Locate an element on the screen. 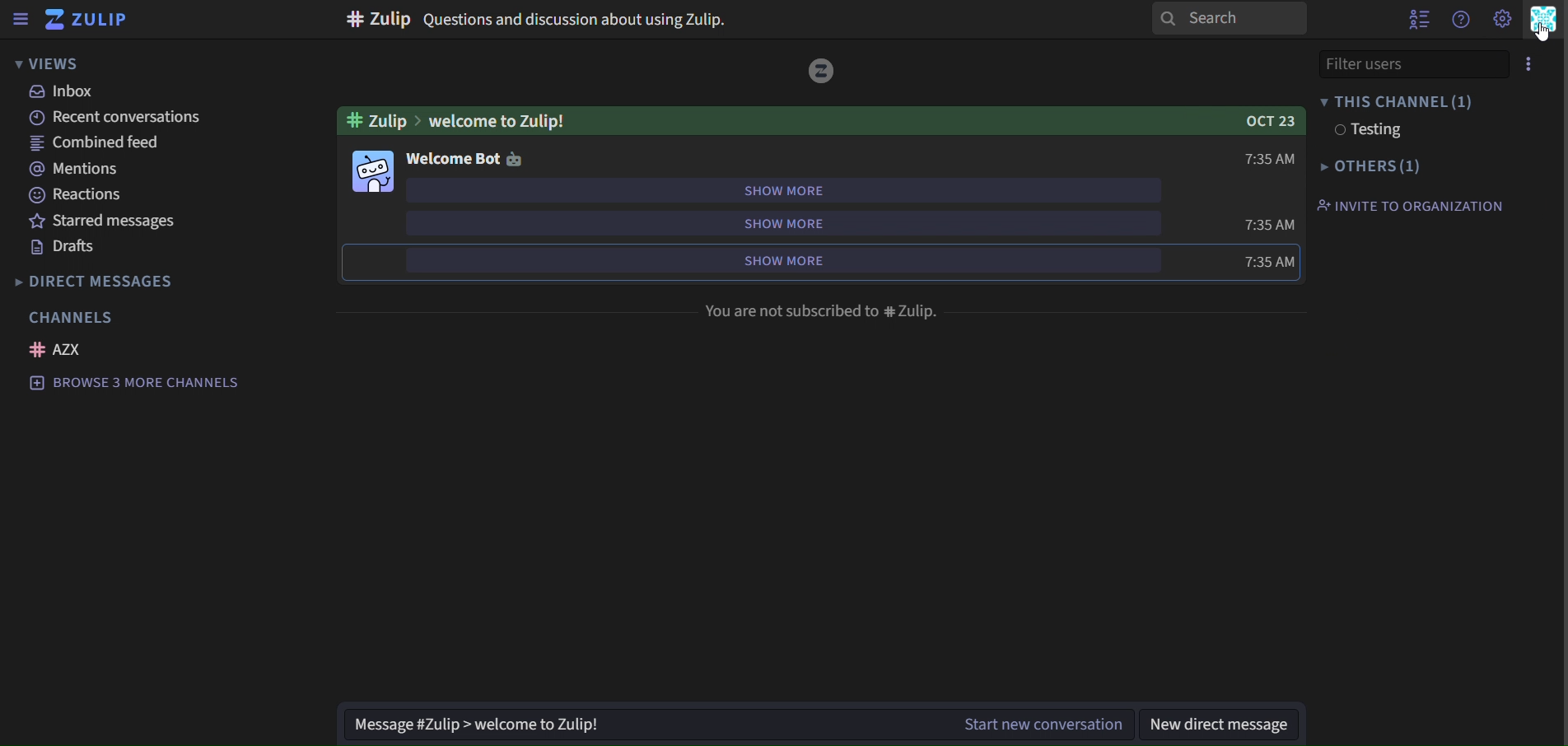 This screenshot has height=746, width=1568. mentions is located at coordinates (77, 168).